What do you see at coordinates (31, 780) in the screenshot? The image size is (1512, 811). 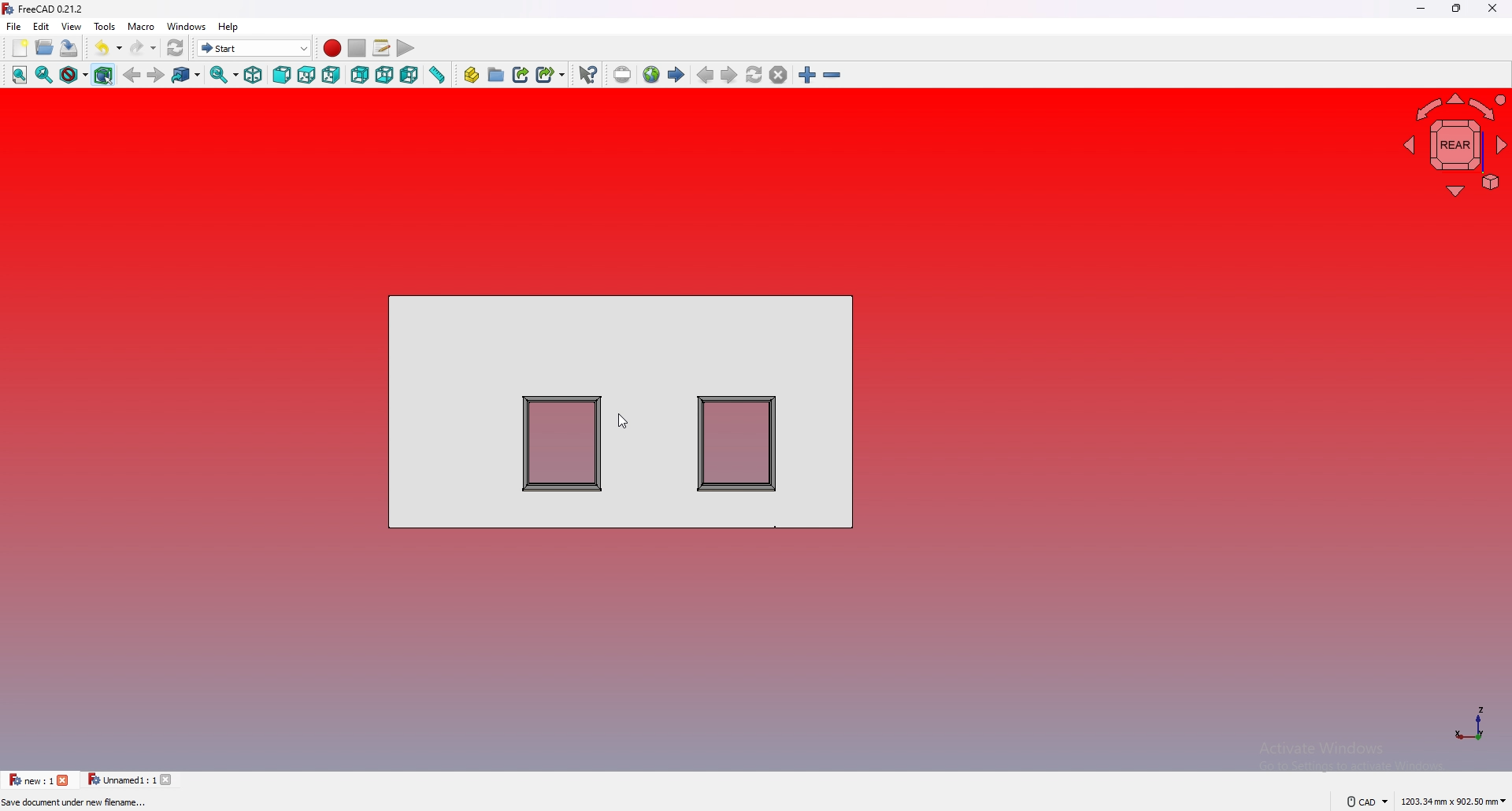 I see `new: 1` at bounding box center [31, 780].